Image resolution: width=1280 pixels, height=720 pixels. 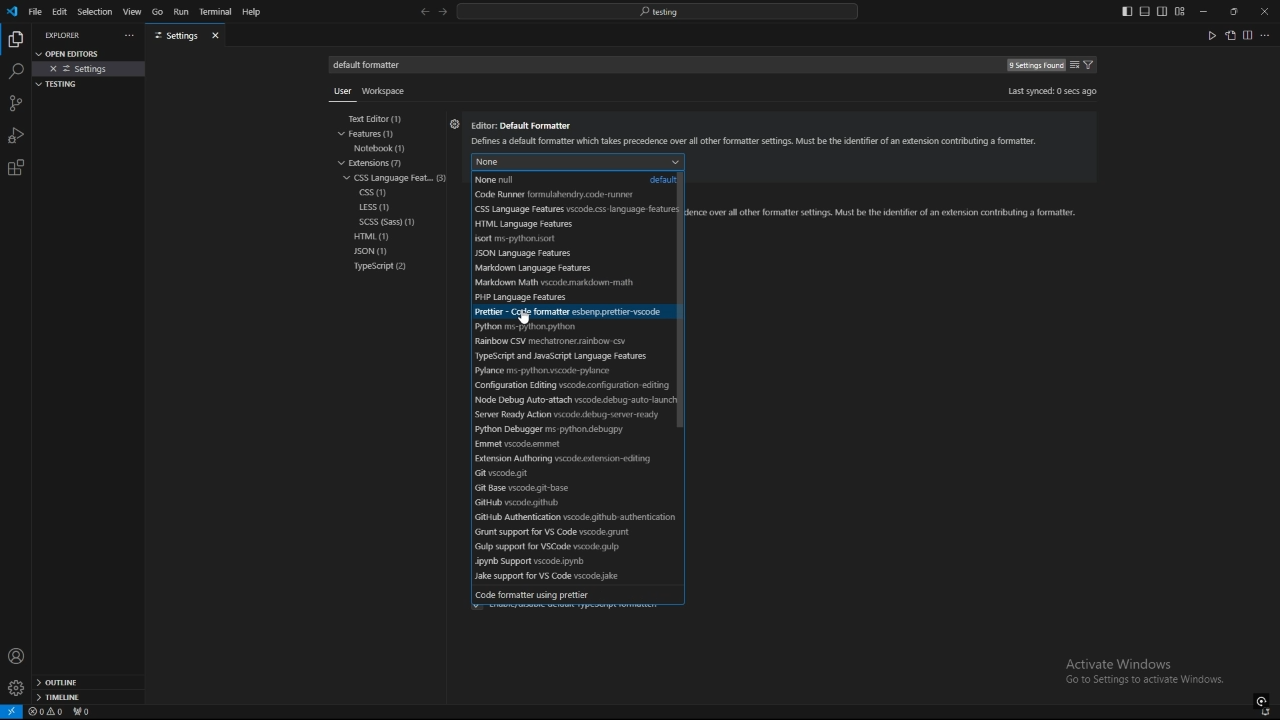 What do you see at coordinates (216, 13) in the screenshot?
I see `terminal` at bounding box center [216, 13].